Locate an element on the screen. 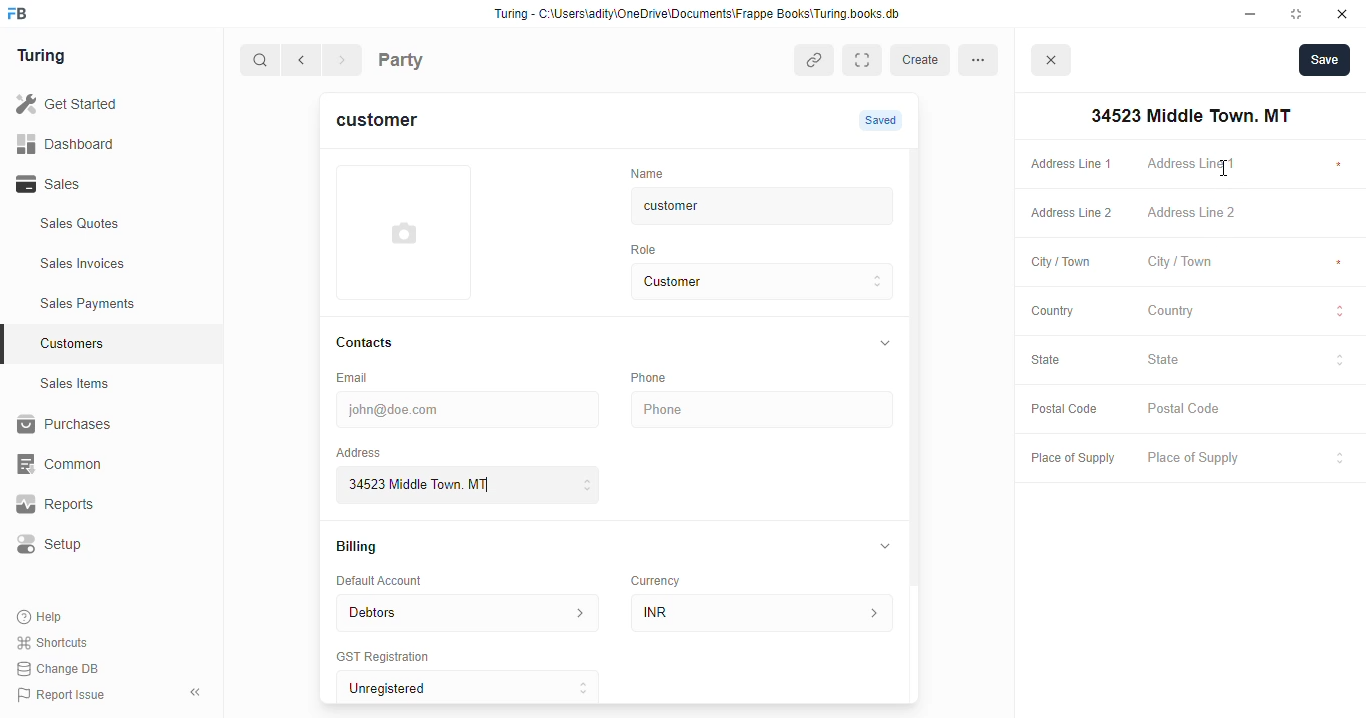 The height and width of the screenshot is (718, 1366). Shortcuts is located at coordinates (58, 643).